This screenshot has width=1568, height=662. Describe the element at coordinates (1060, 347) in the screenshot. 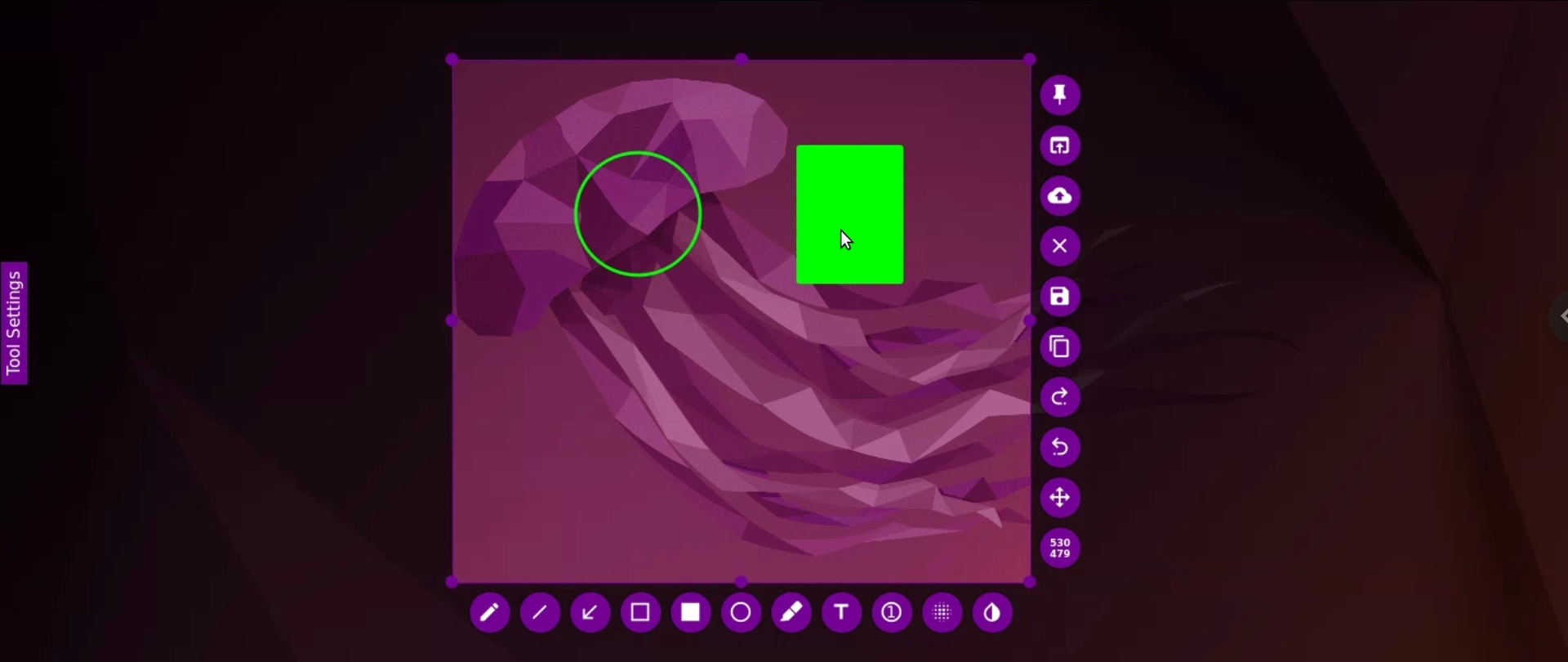

I see `copy` at that location.